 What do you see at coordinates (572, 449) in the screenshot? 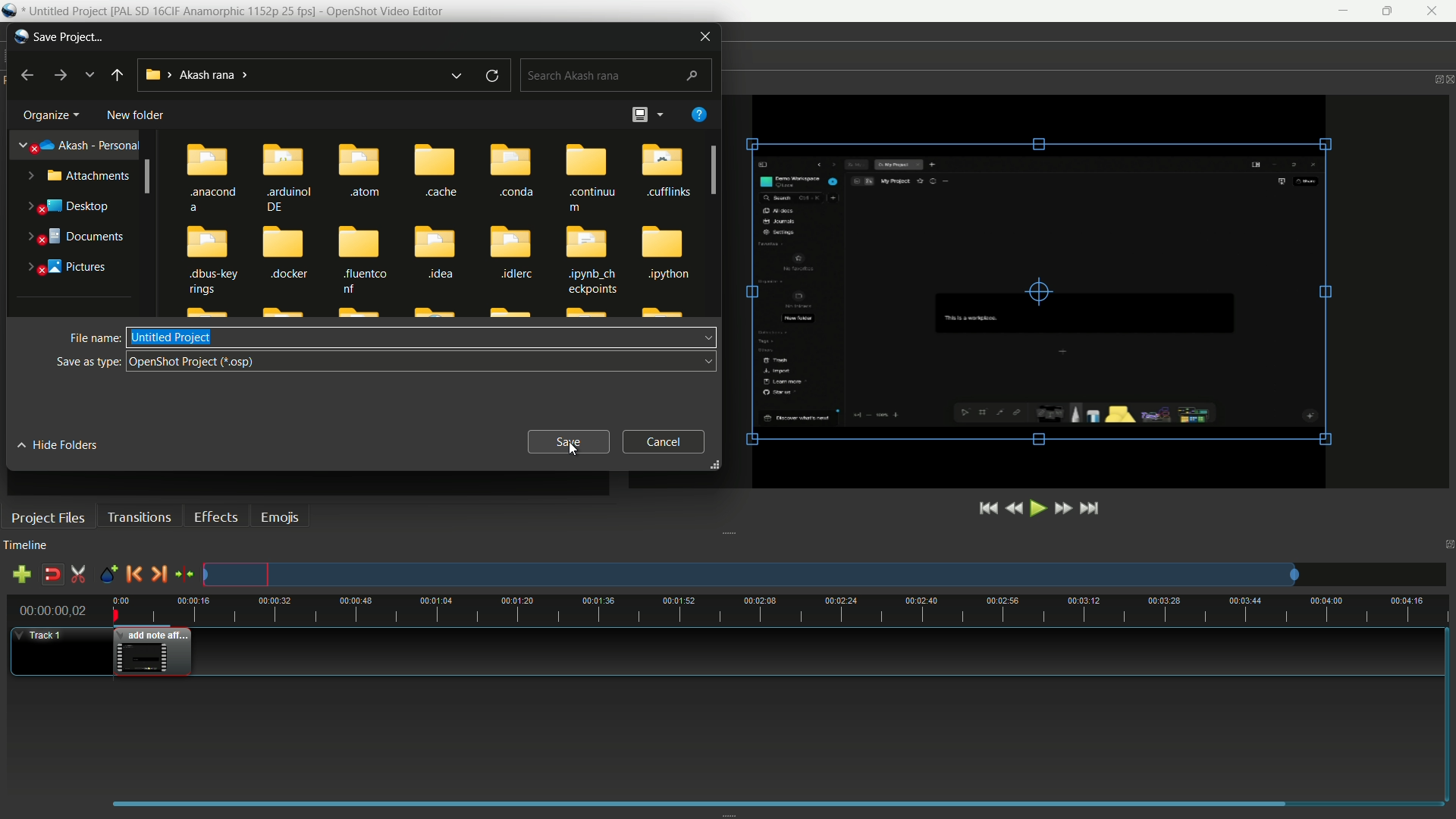
I see `Cursor` at bounding box center [572, 449].